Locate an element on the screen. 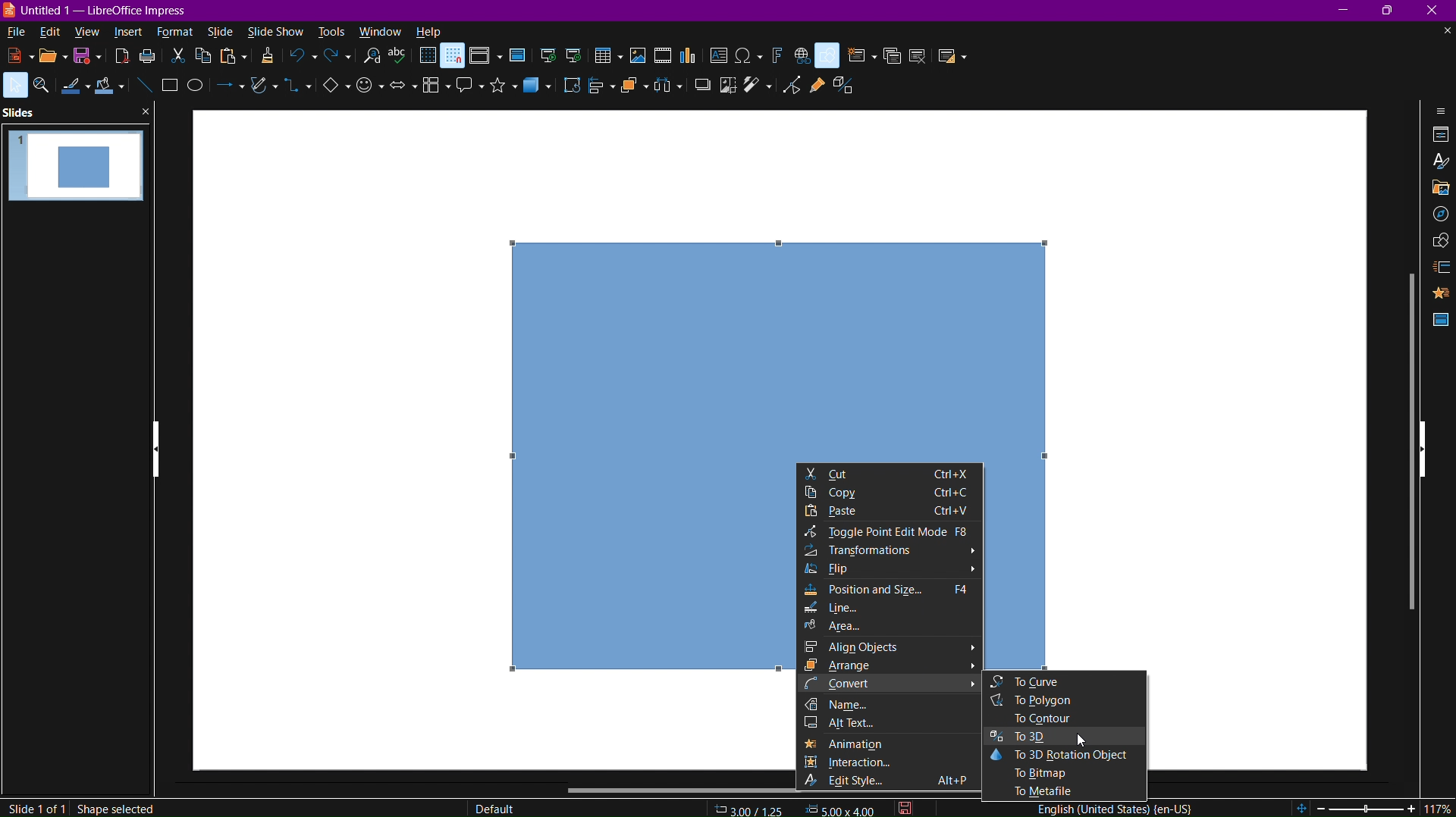  cut is located at coordinates (180, 58).